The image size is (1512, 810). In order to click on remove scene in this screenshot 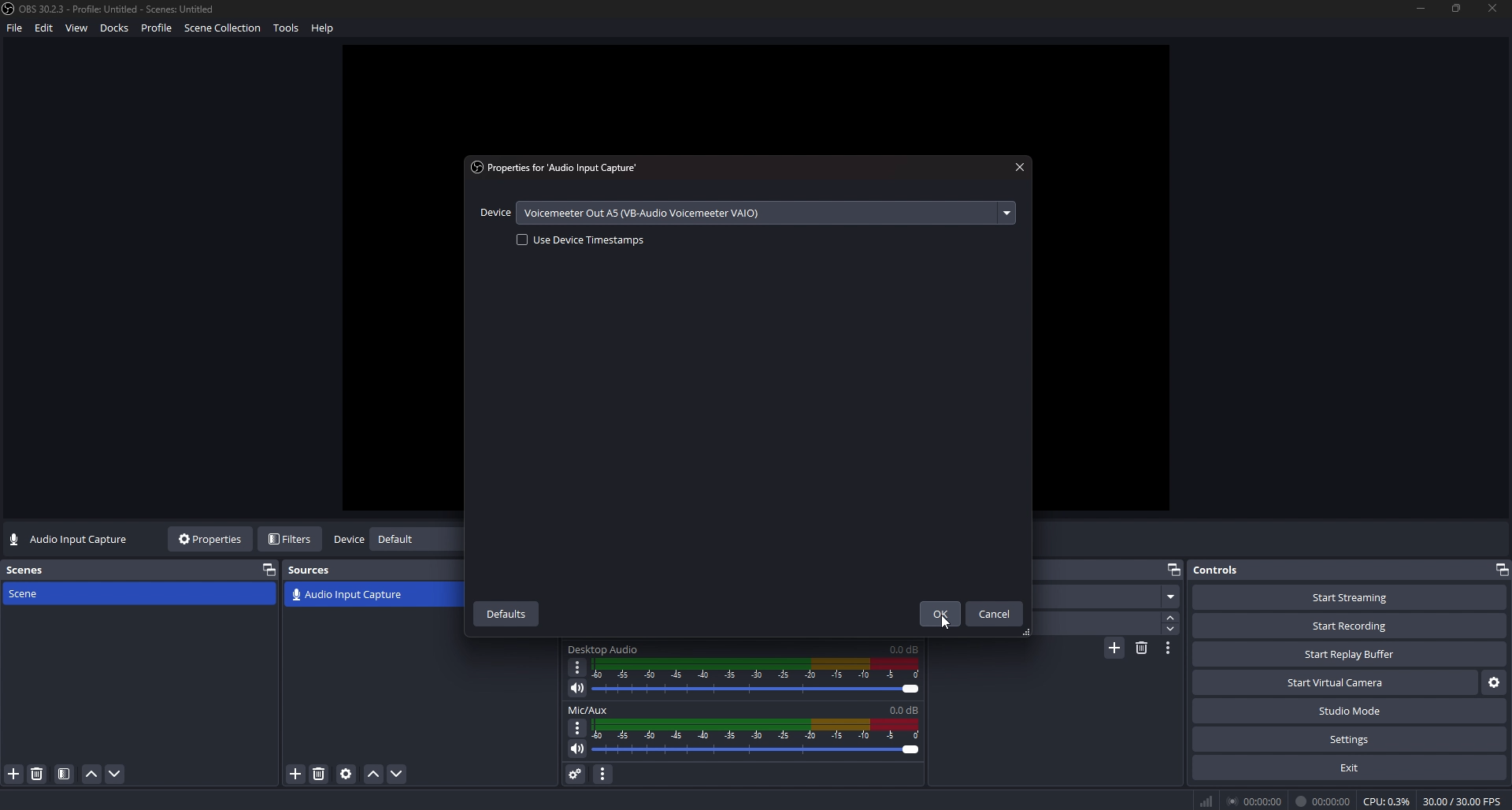, I will do `click(37, 774)`.